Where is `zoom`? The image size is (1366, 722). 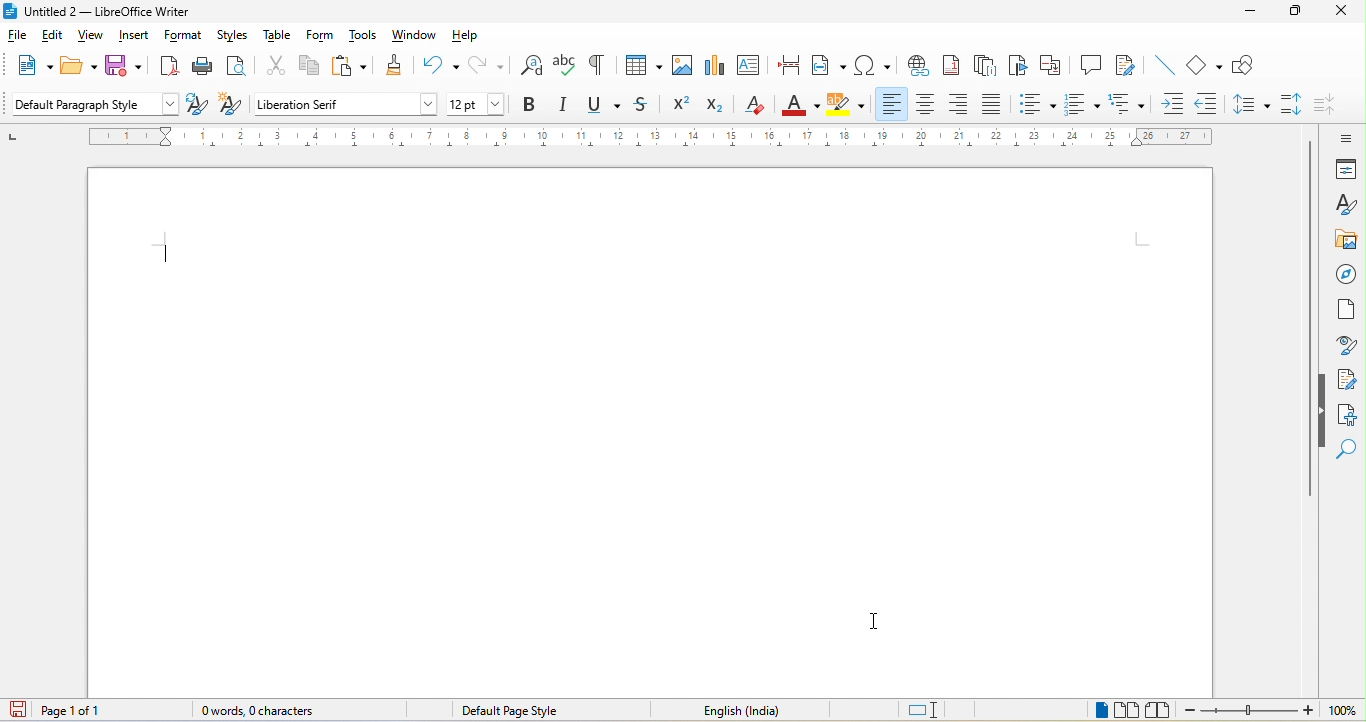 zoom is located at coordinates (1271, 711).